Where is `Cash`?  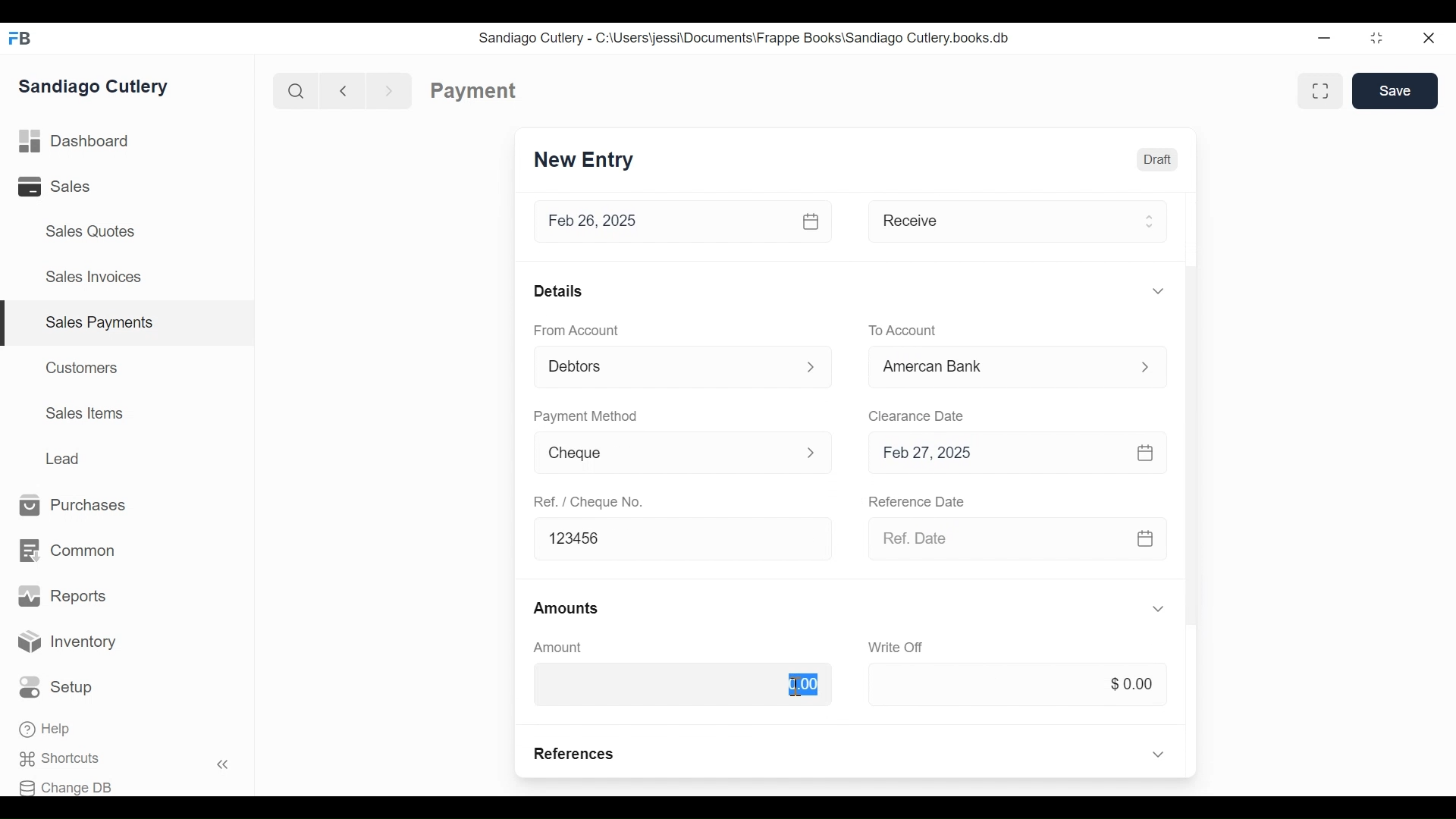 Cash is located at coordinates (995, 366).